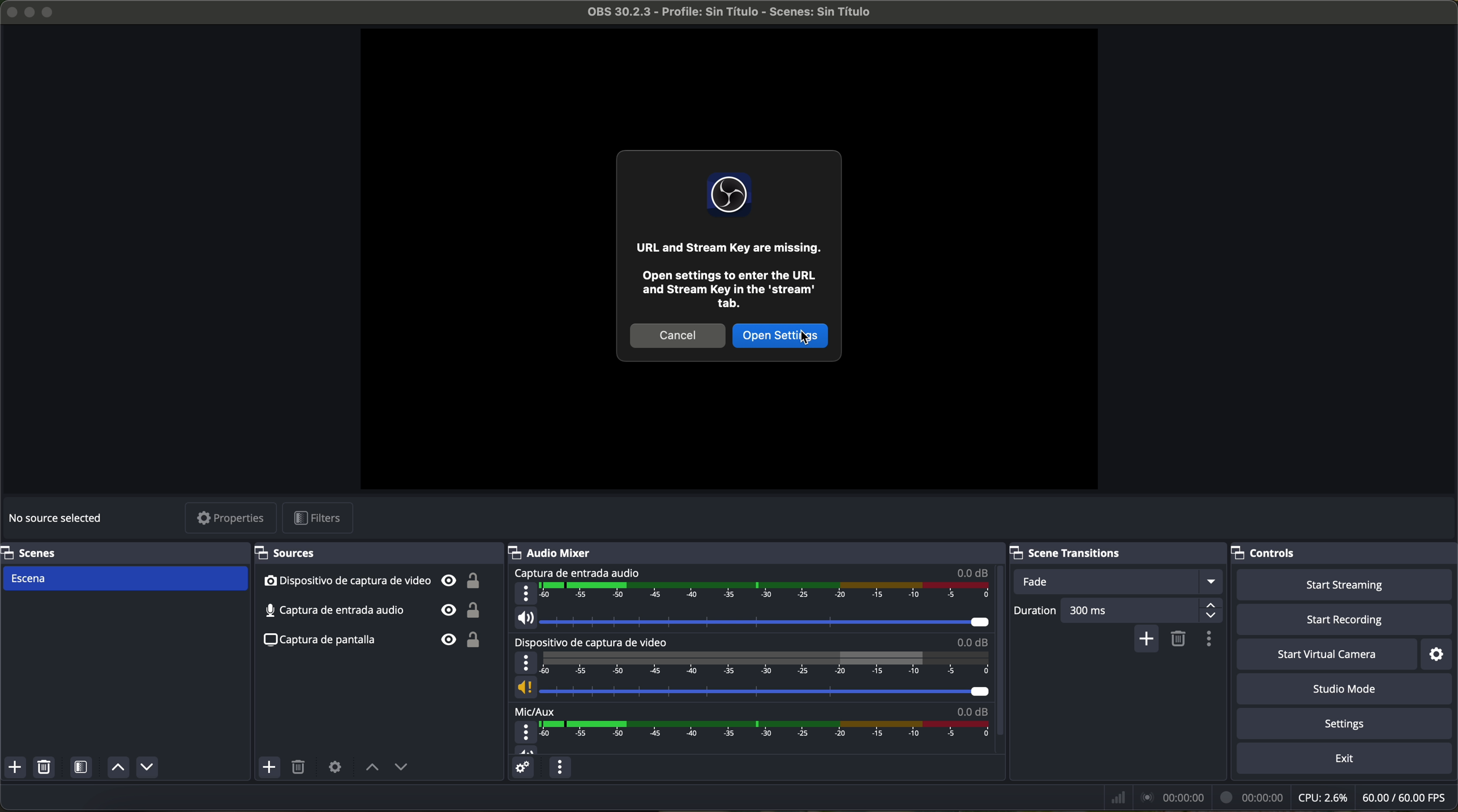 This screenshot has width=1458, height=812. I want to click on audio input capture, so click(748, 599).